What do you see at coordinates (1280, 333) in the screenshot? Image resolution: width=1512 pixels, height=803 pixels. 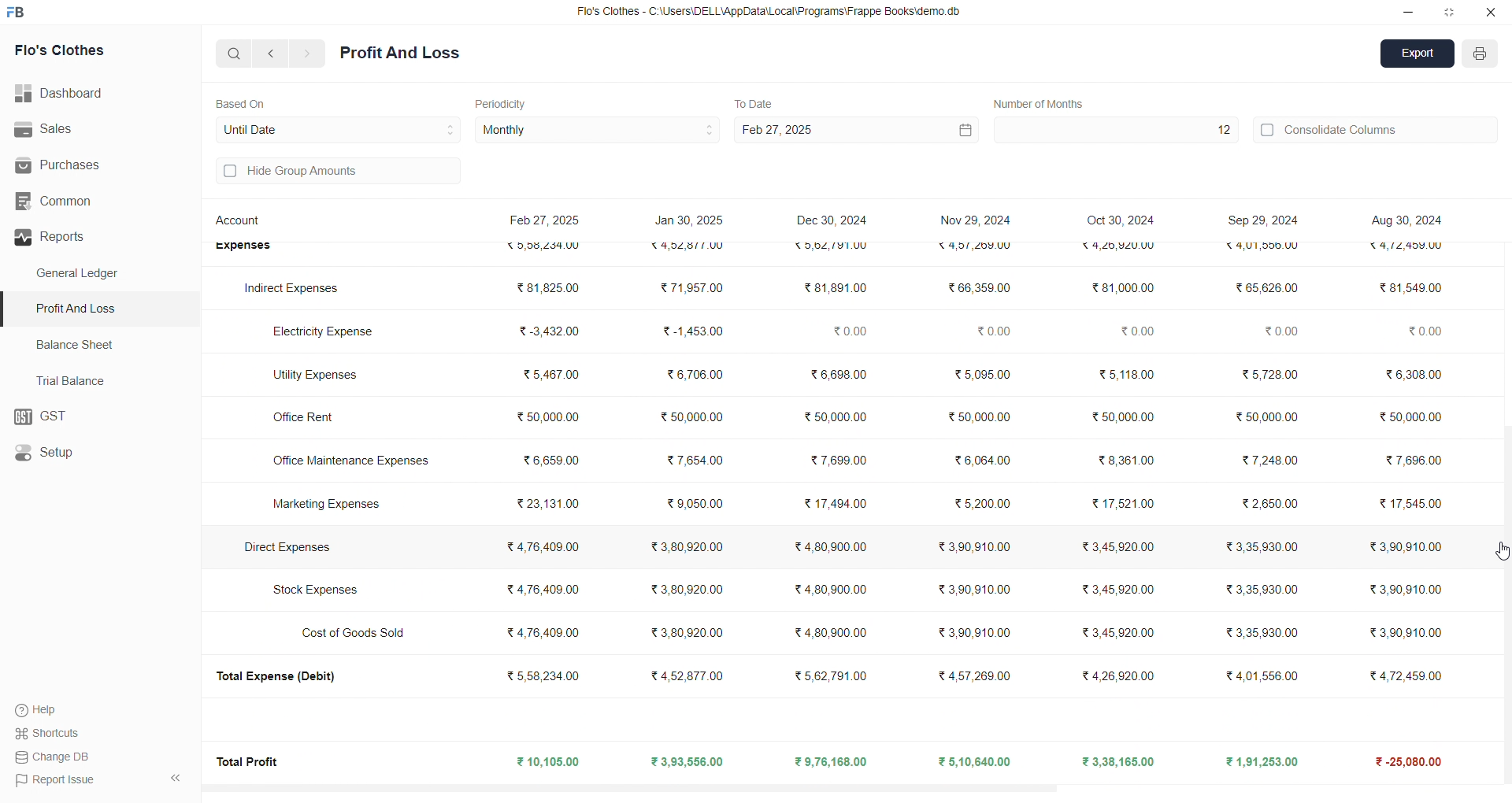 I see `₹0.00` at bounding box center [1280, 333].